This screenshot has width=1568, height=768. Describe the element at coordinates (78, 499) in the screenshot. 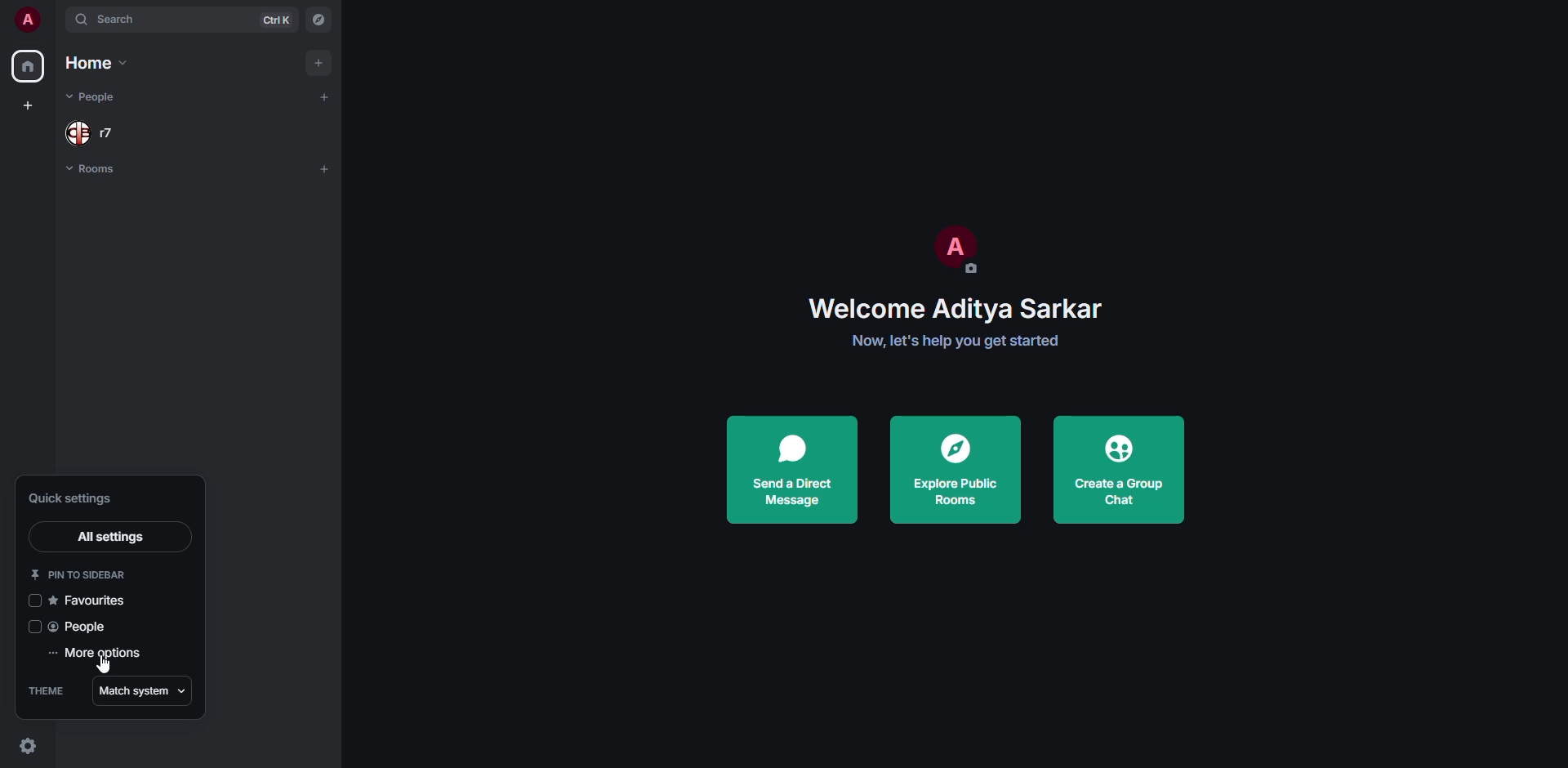

I see `quick settings` at that location.